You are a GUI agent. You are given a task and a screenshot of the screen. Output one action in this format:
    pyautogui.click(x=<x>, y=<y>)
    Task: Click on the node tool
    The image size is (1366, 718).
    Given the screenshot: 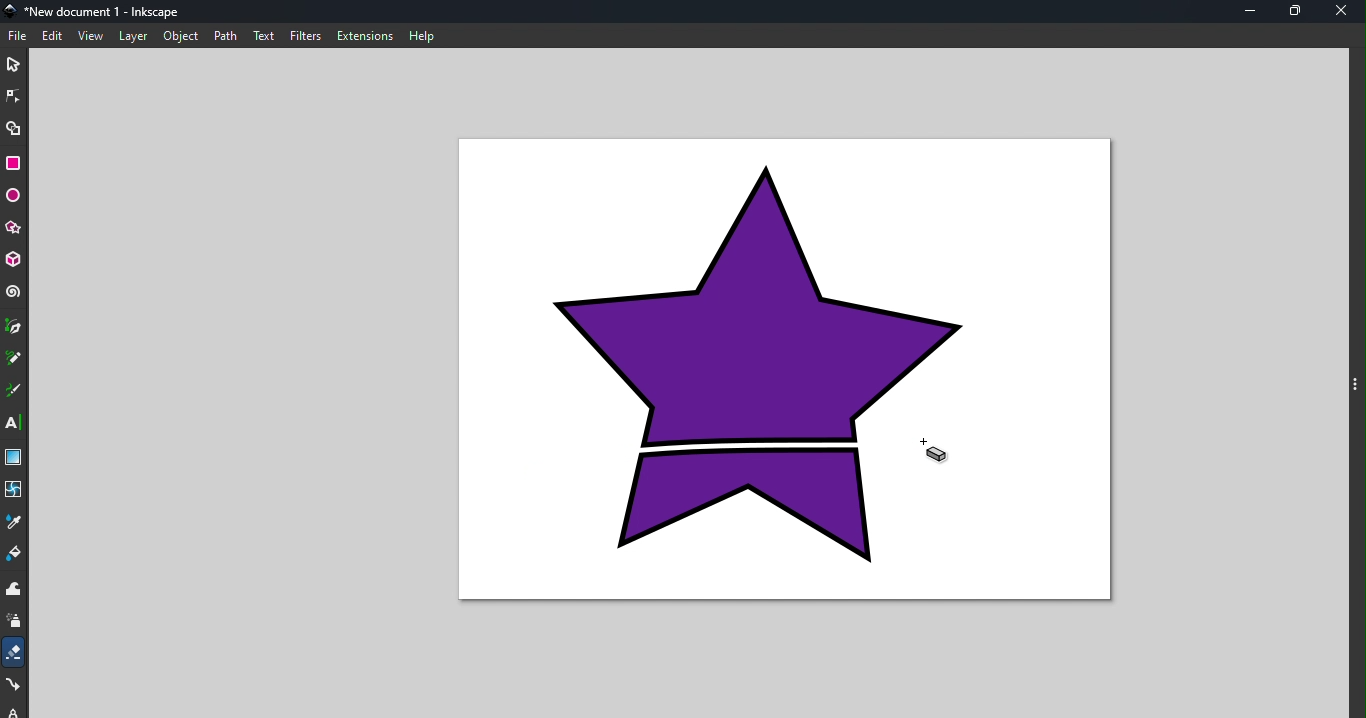 What is the action you would take?
    pyautogui.click(x=15, y=95)
    